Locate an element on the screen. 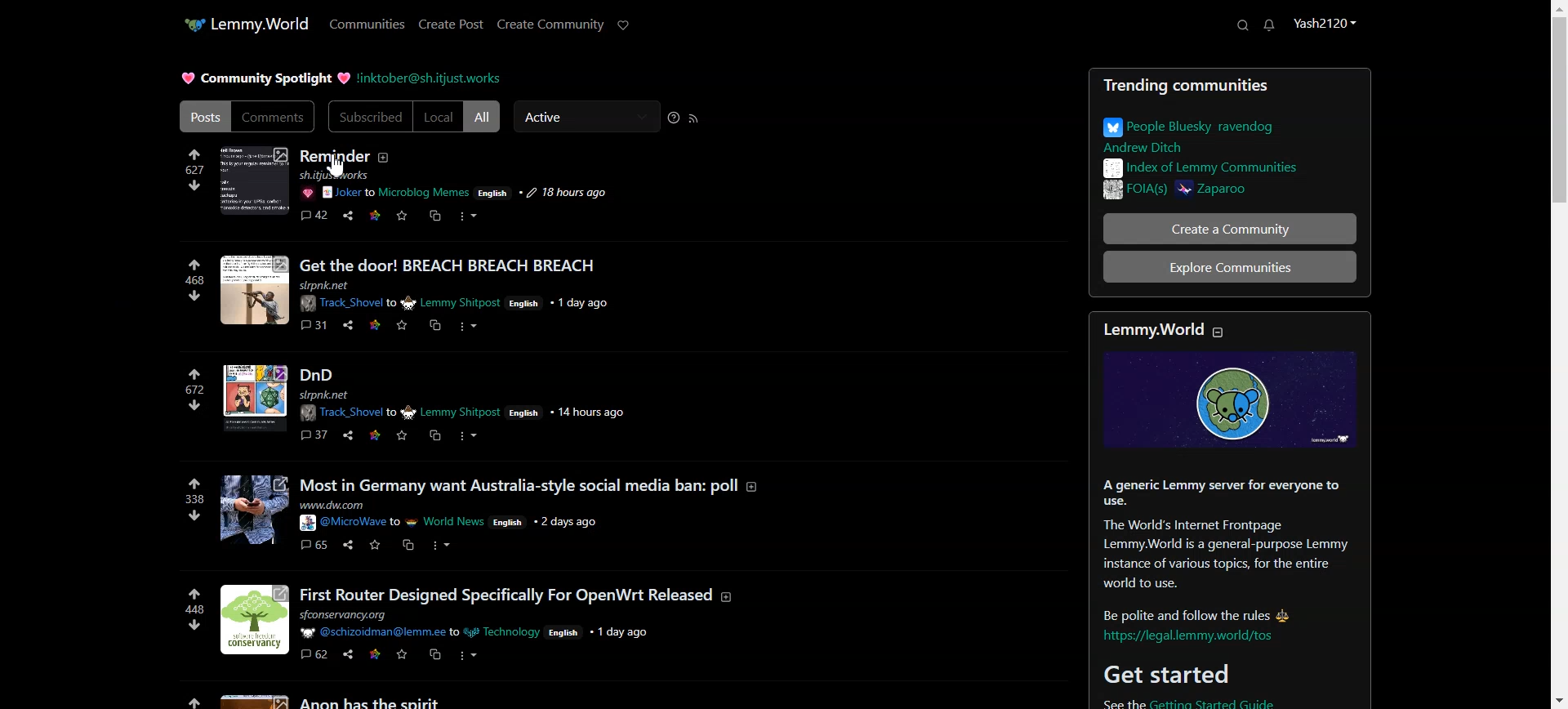 The image size is (1568, 709).  is located at coordinates (307, 192).